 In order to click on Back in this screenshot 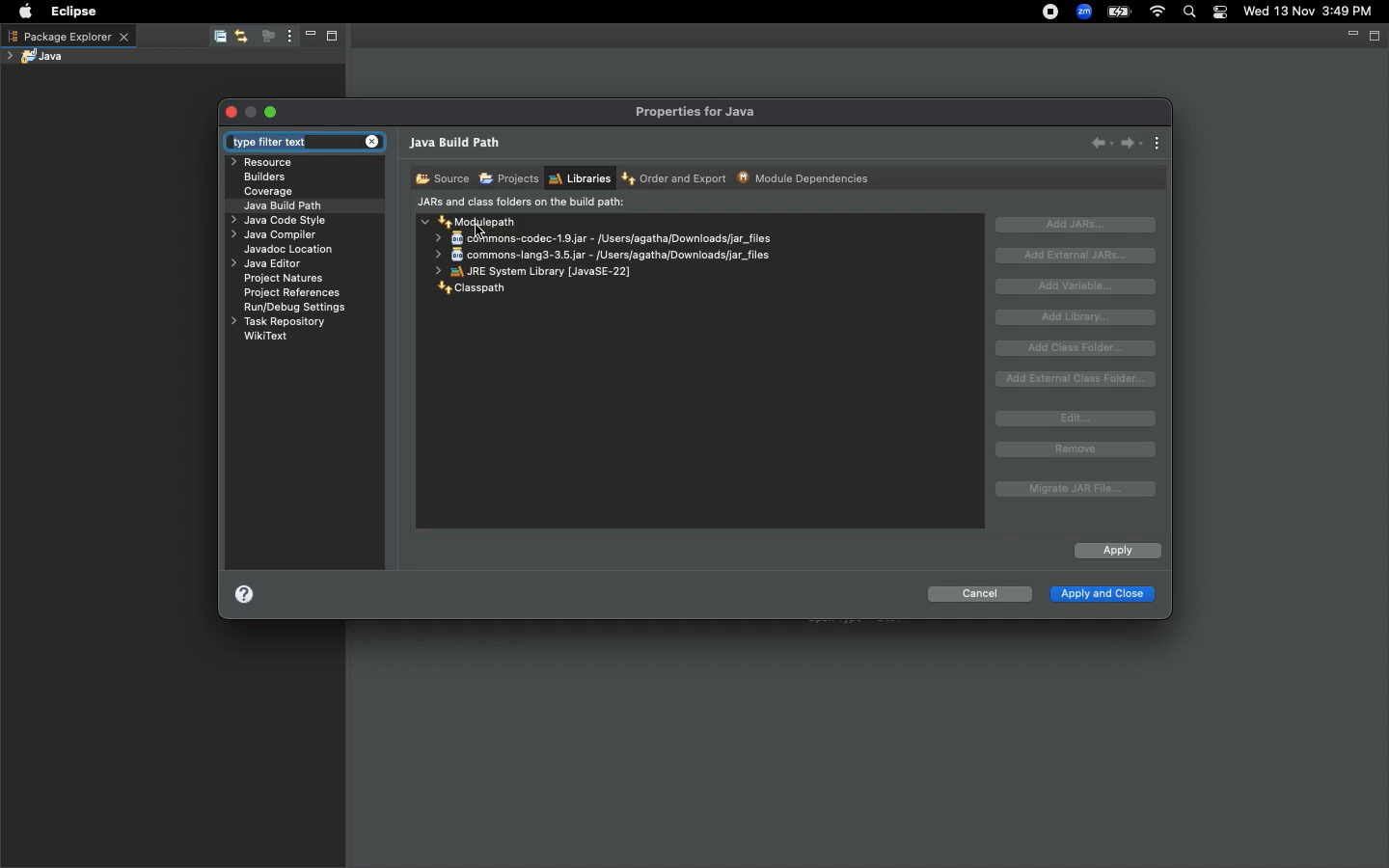, I will do `click(1102, 142)`.